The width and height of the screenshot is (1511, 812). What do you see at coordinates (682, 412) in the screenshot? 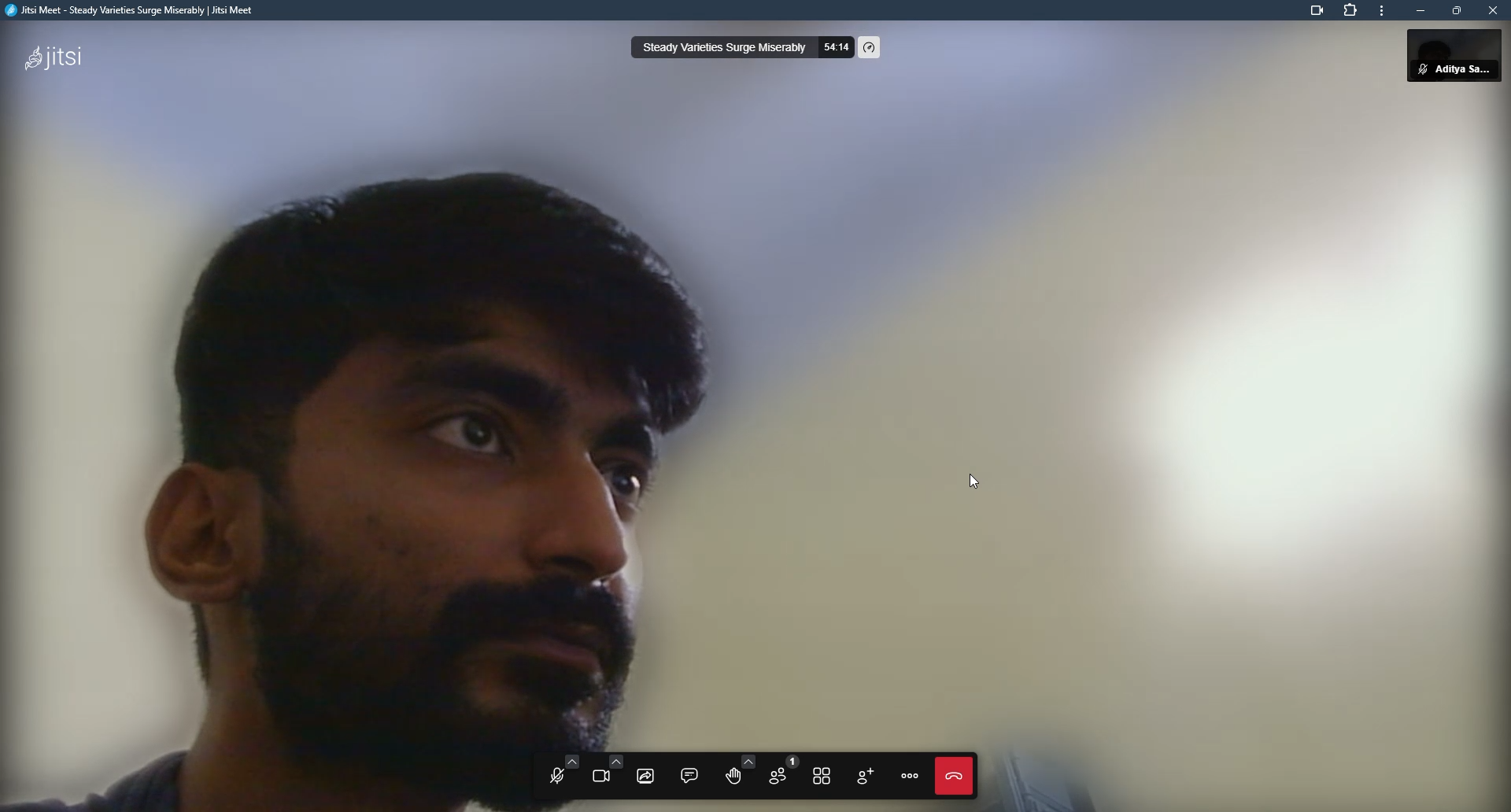
I see `video blurred` at bounding box center [682, 412].